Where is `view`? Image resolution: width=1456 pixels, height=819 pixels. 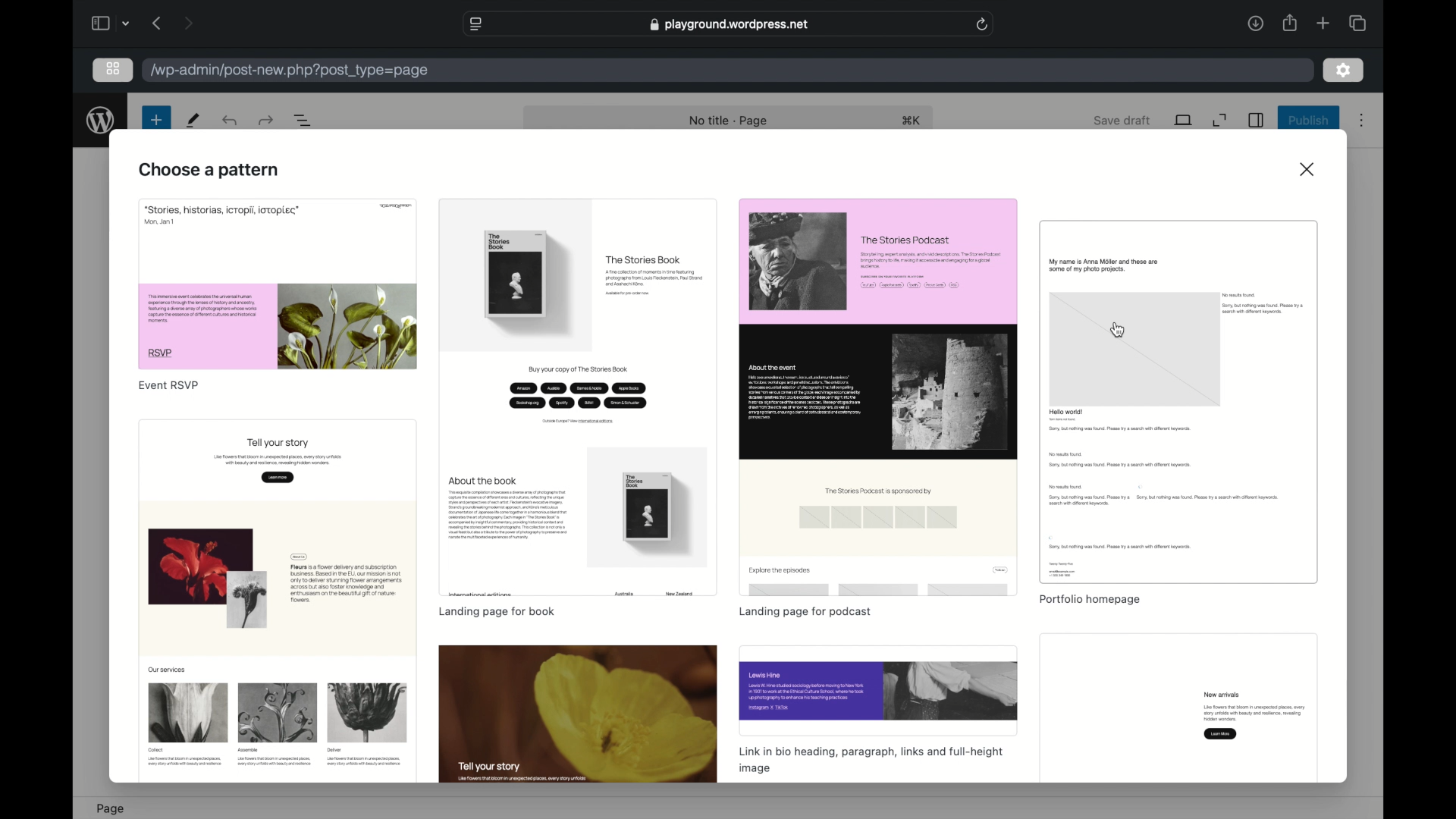
view is located at coordinates (1184, 120).